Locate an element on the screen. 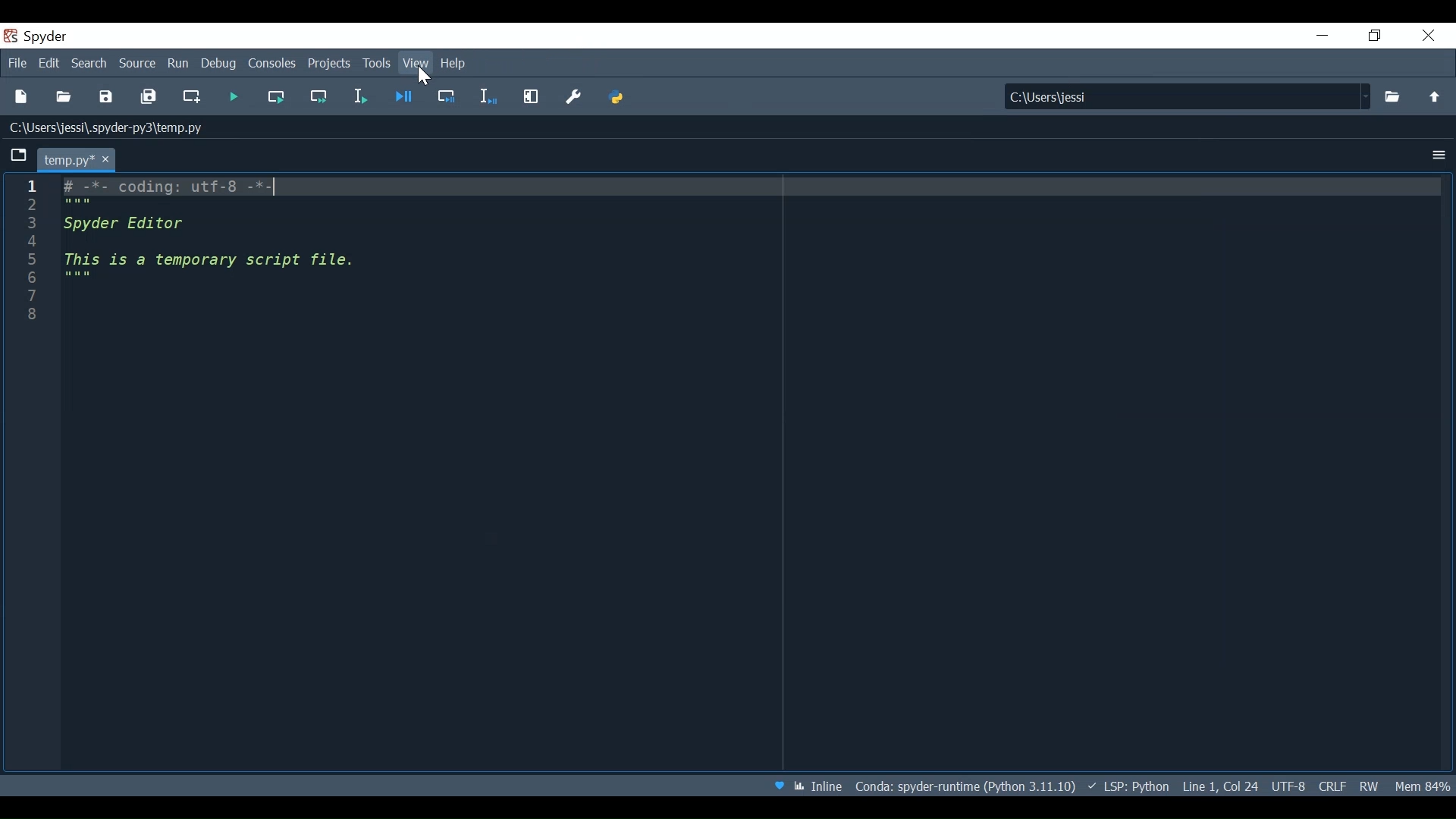  Save All current file is located at coordinates (148, 99).